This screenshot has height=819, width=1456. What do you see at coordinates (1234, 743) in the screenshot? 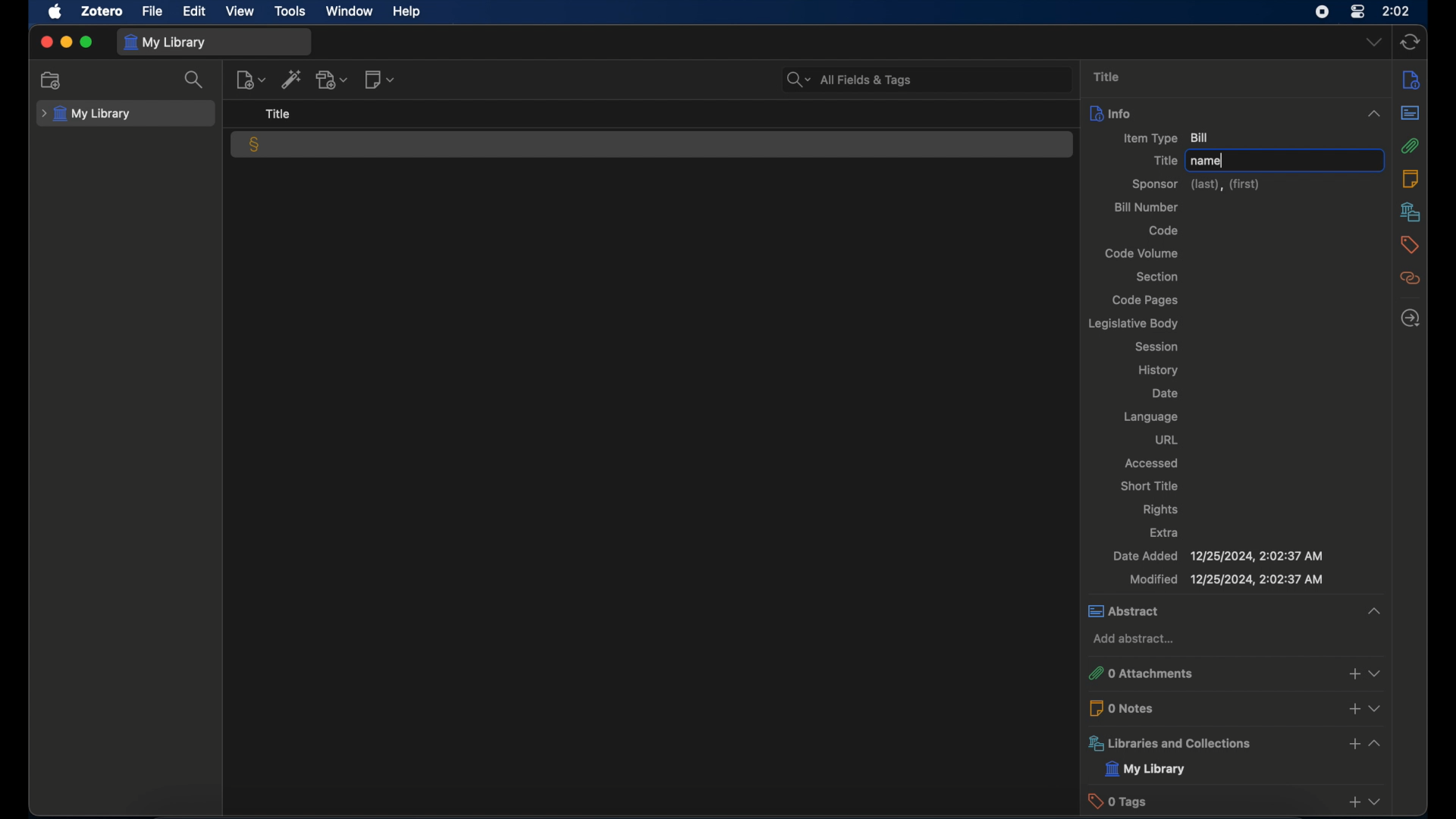
I see `libraries` at bounding box center [1234, 743].